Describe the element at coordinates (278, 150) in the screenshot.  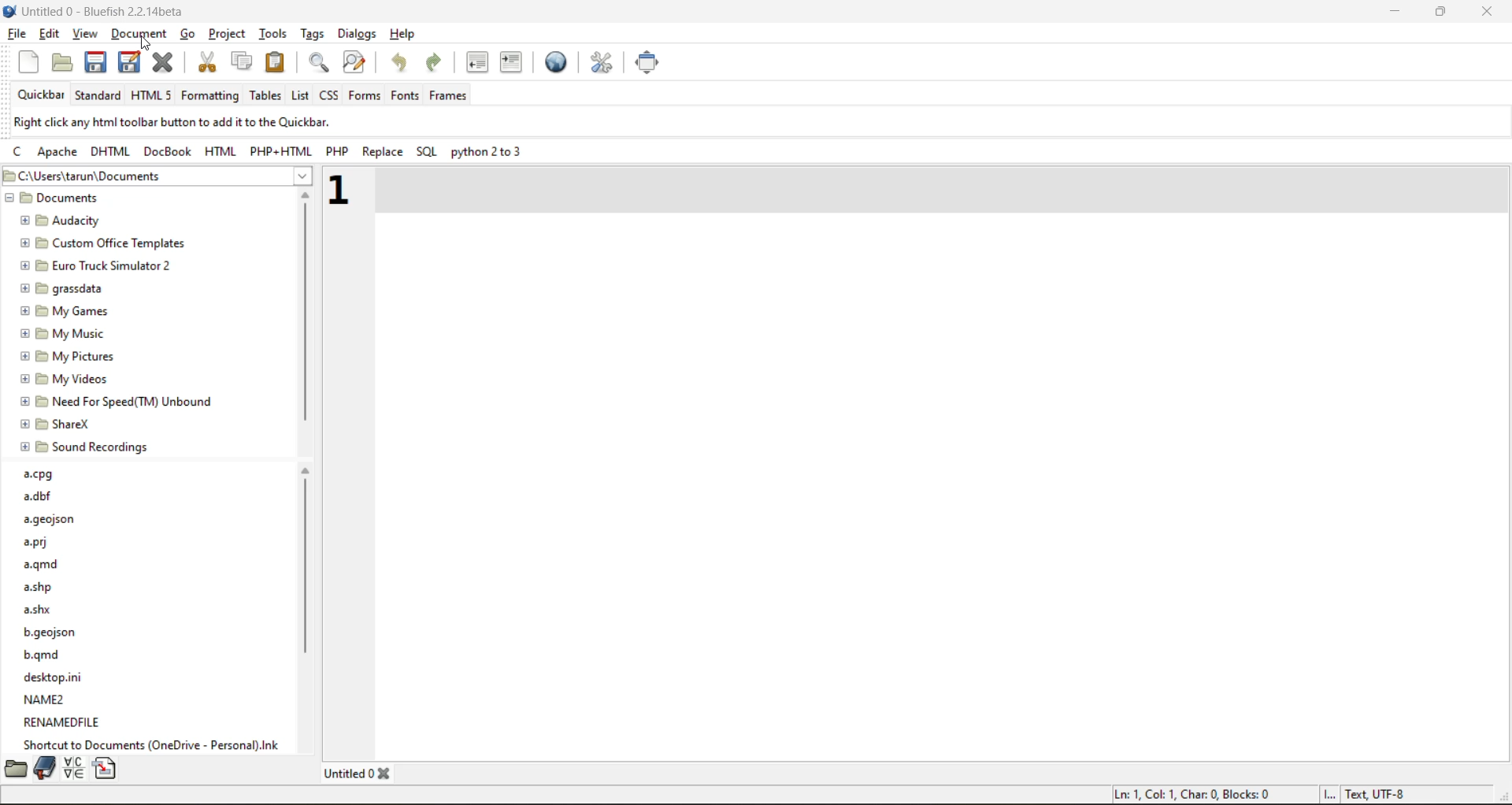
I see `php-html` at that location.